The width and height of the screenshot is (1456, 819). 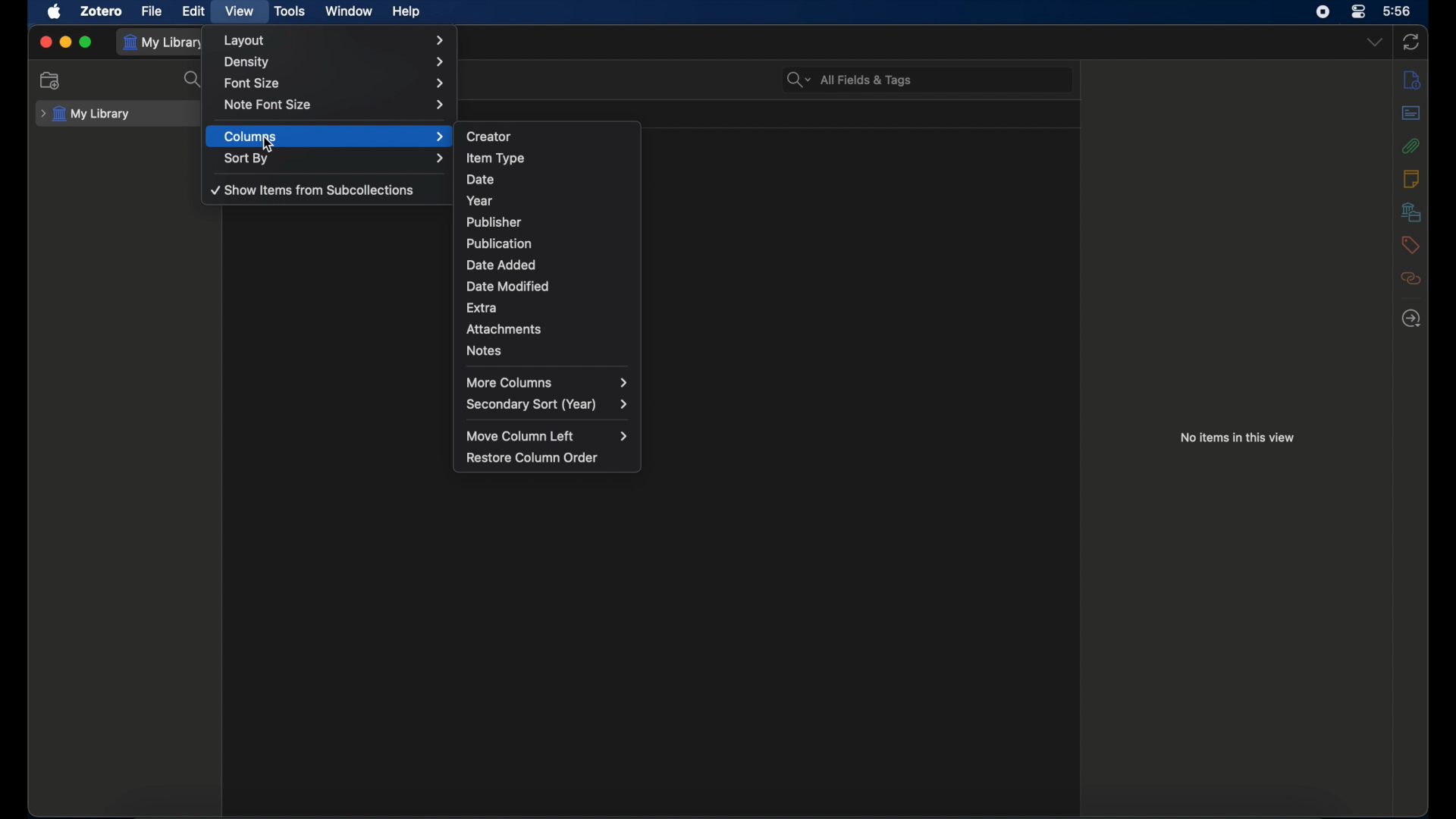 What do you see at coordinates (240, 11) in the screenshot?
I see `view` at bounding box center [240, 11].